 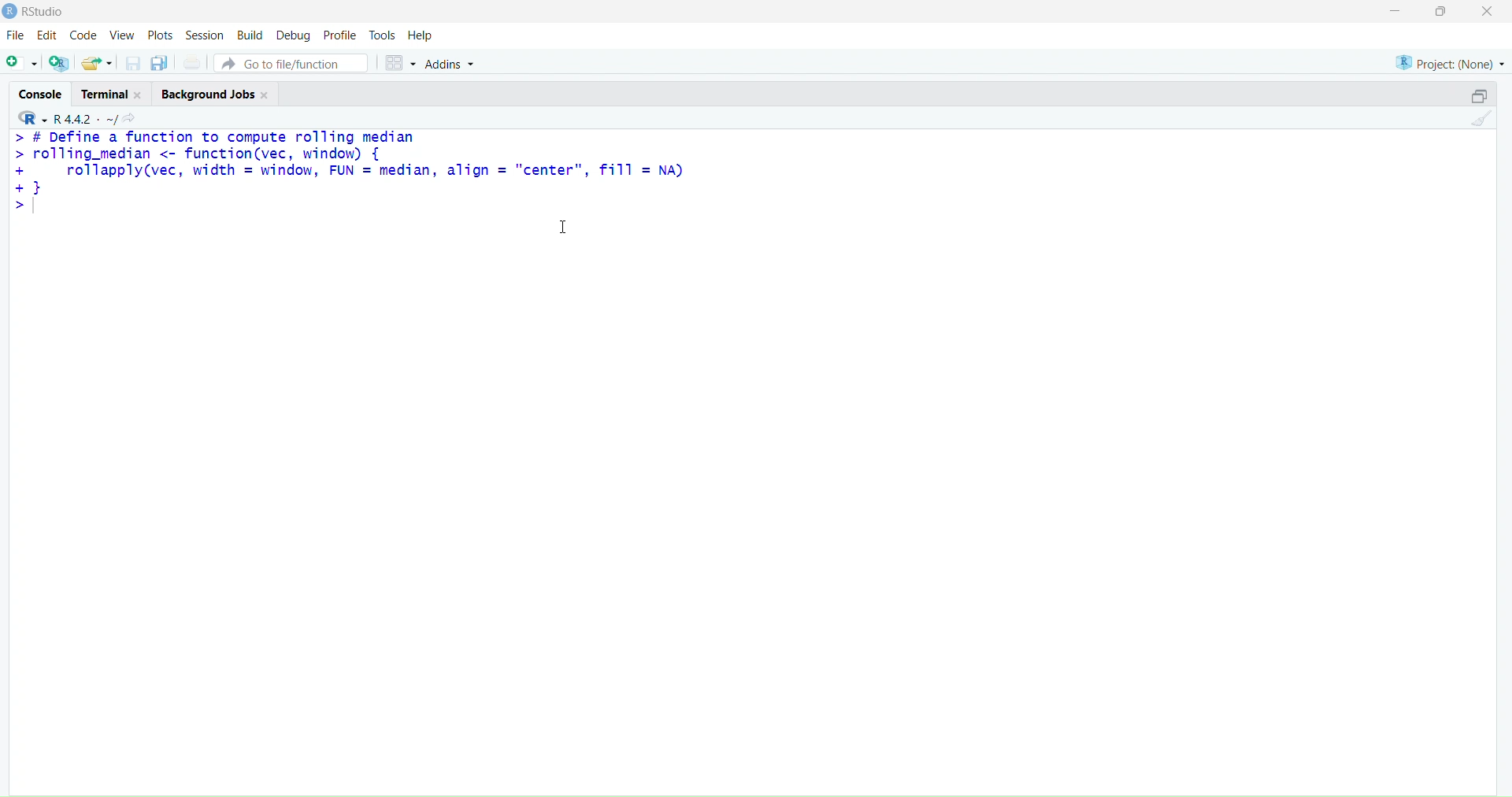 What do you see at coordinates (130, 117) in the screenshot?
I see `search icon` at bounding box center [130, 117].